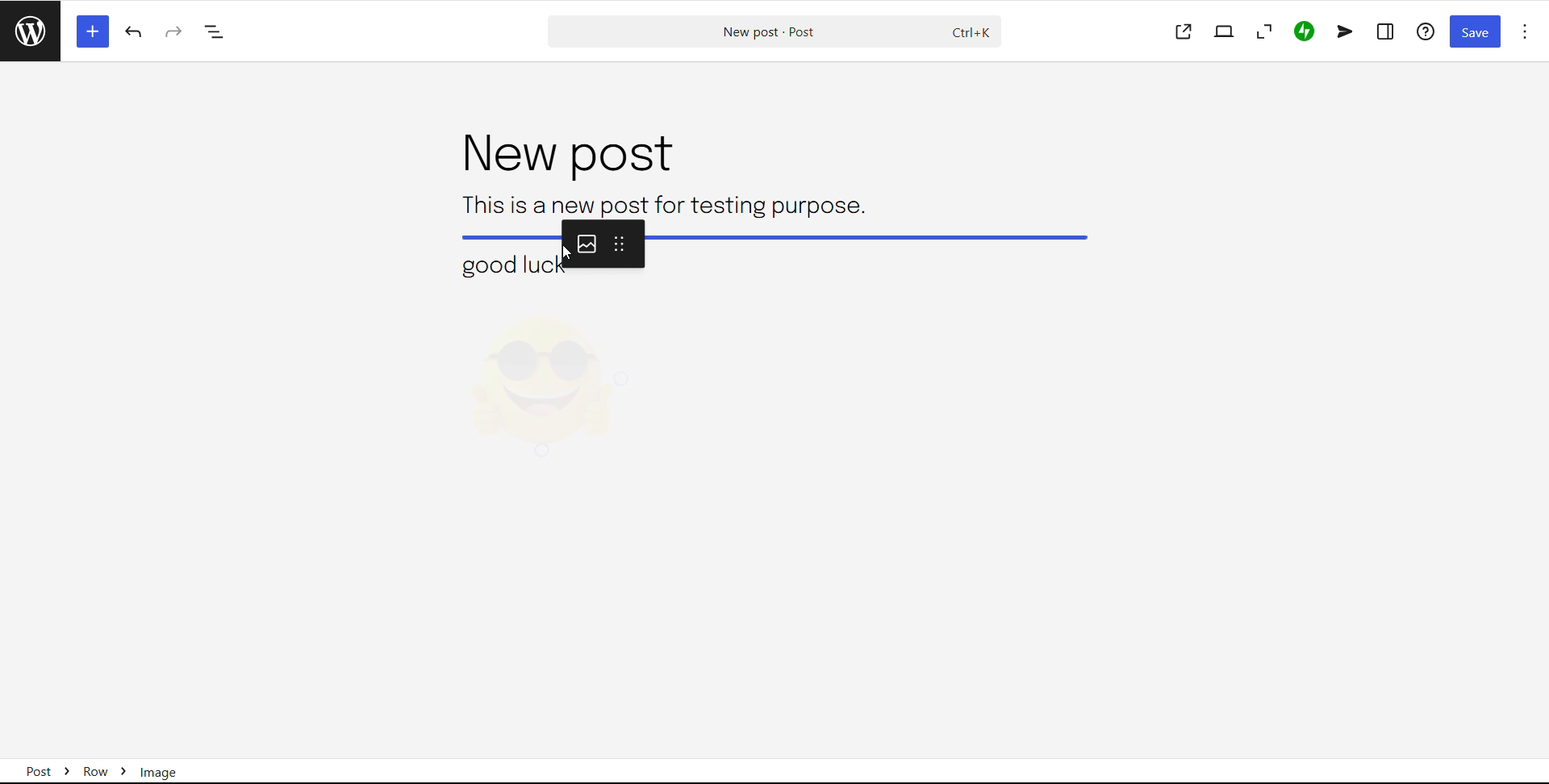  Describe the element at coordinates (774, 32) in the screenshot. I see `search post and commands` at that location.